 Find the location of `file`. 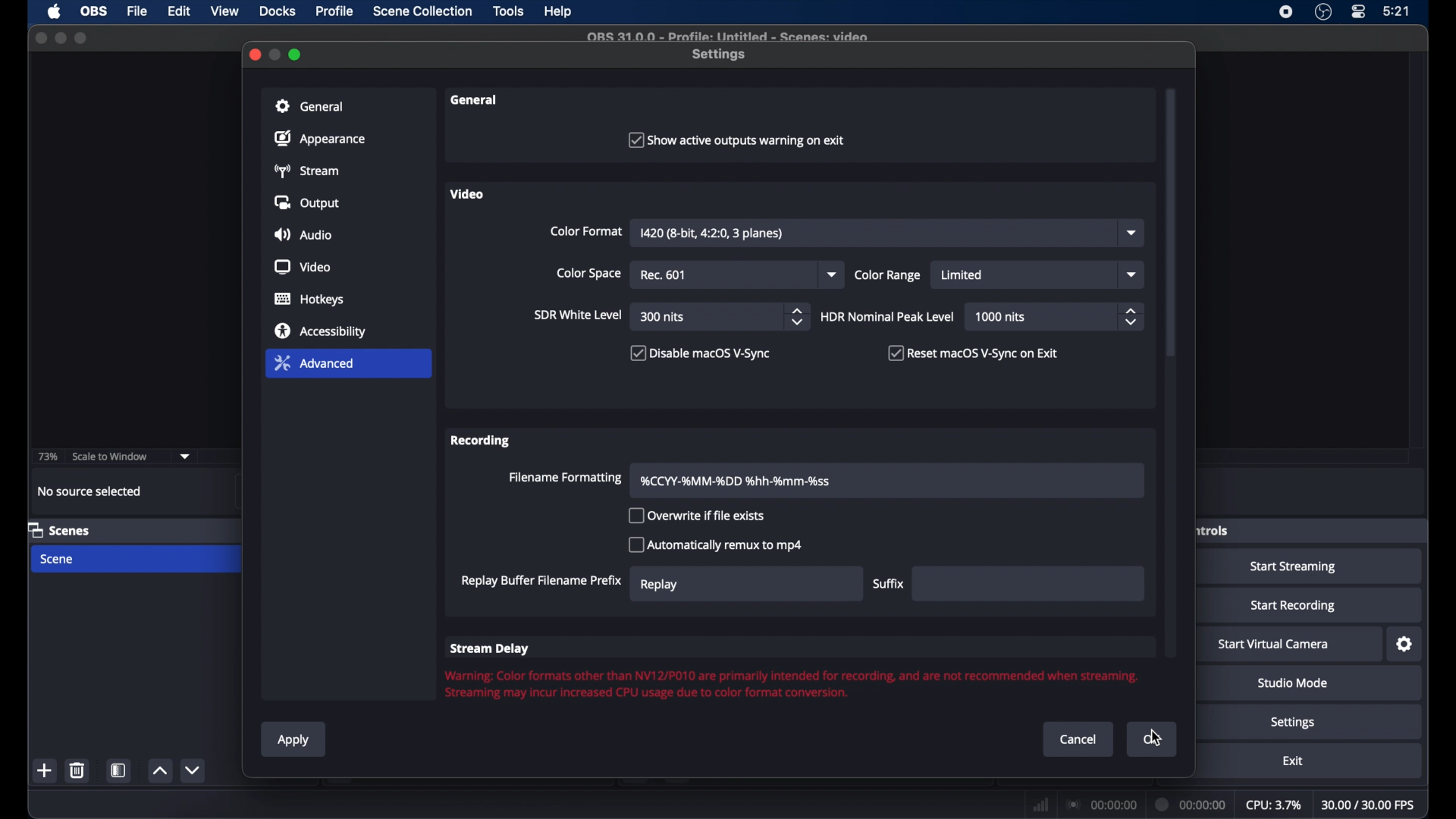

file is located at coordinates (138, 11).